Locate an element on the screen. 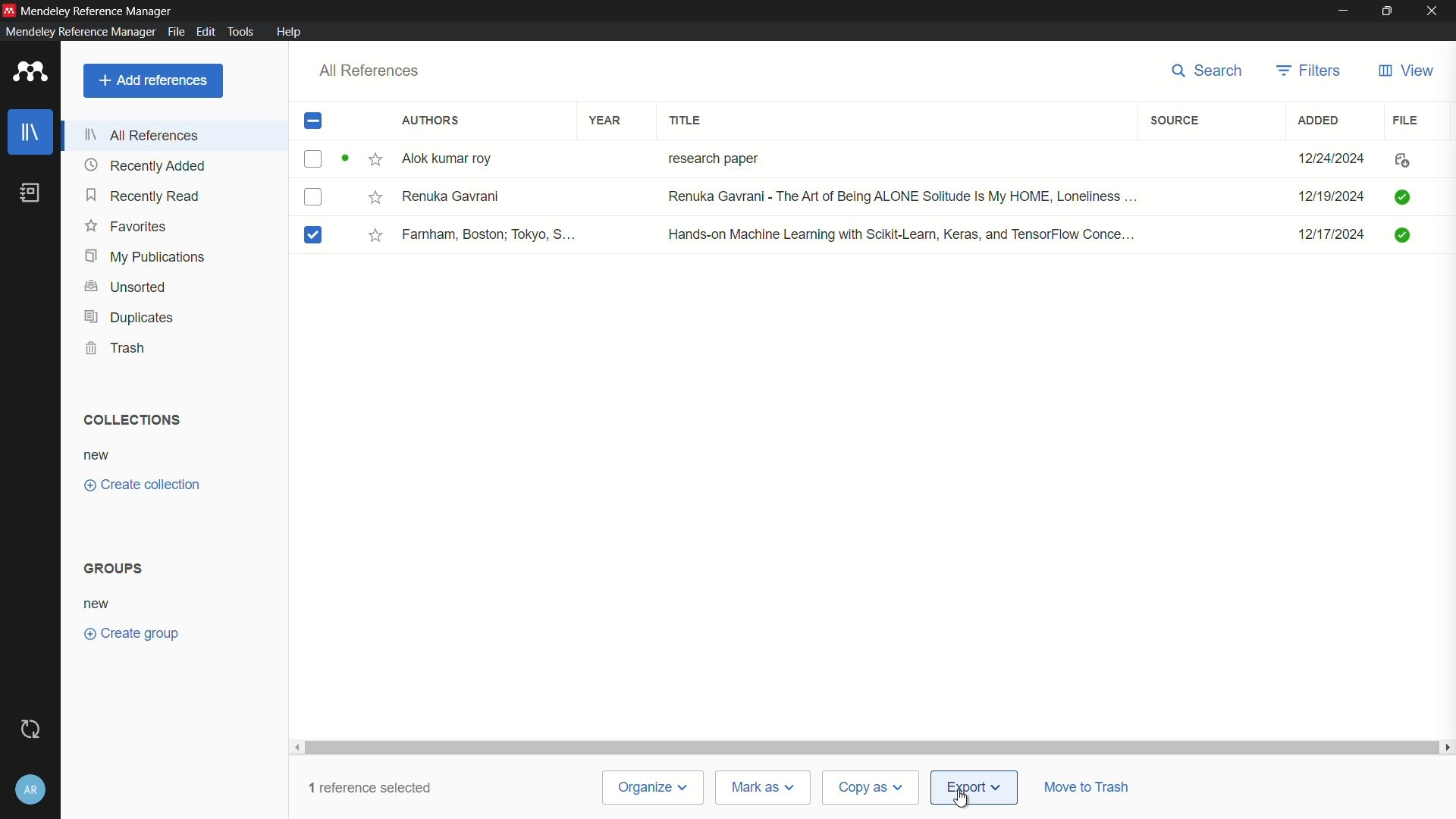 This screenshot has width=1456, height=819. groups is located at coordinates (115, 568).